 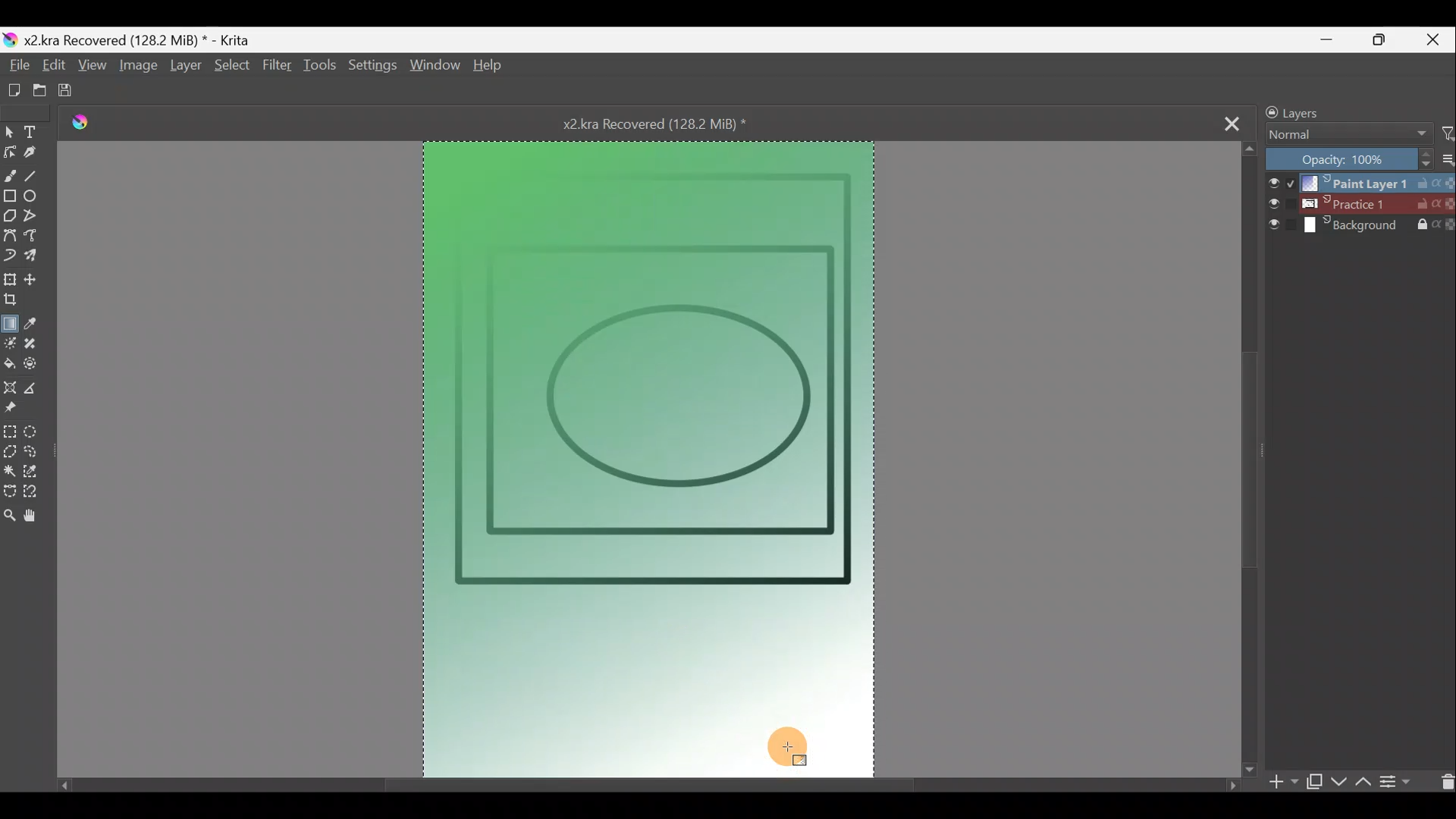 What do you see at coordinates (34, 324) in the screenshot?
I see `Sample a colour from the image/current layer` at bounding box center [34, 324].